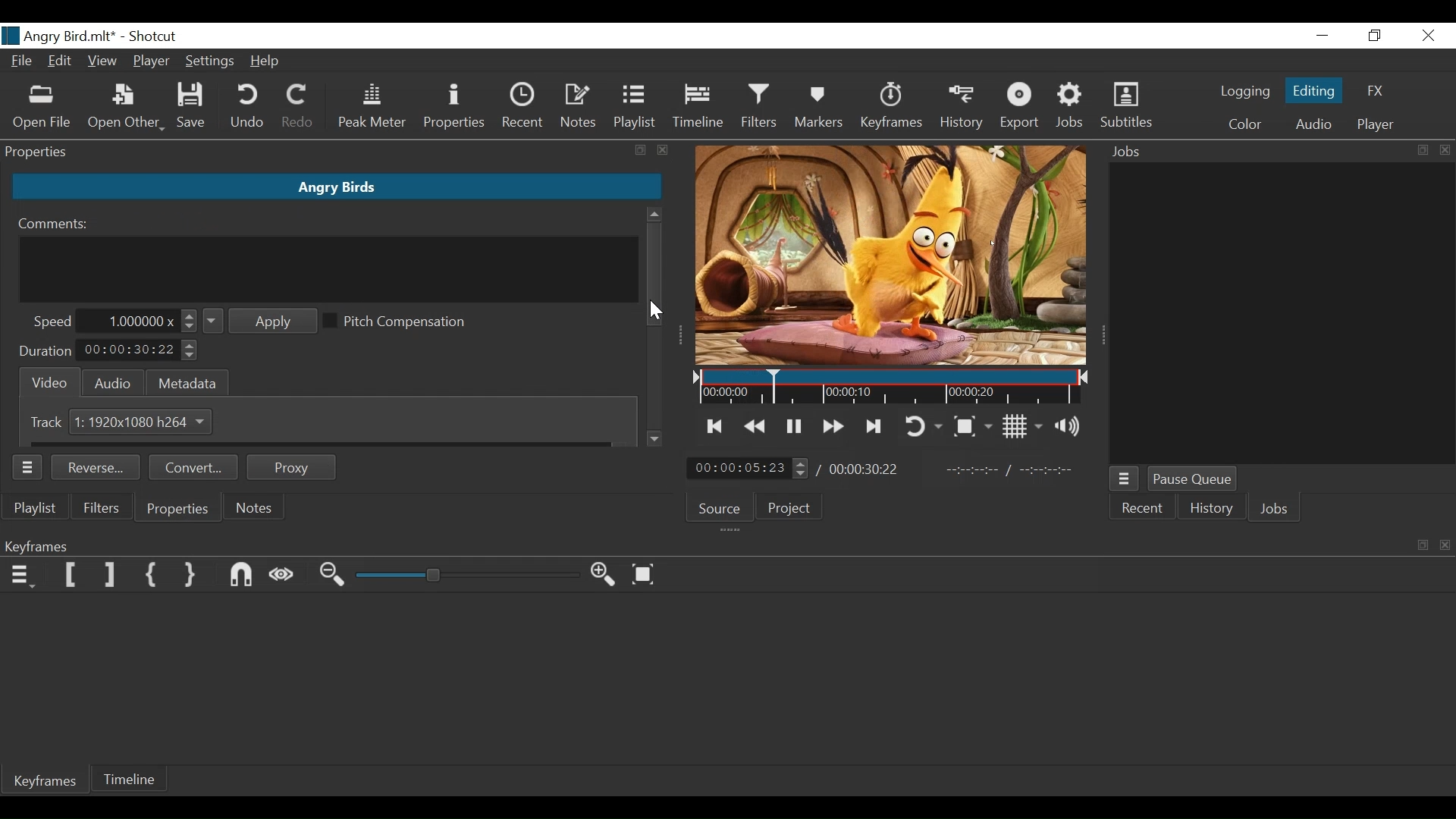 The height and width of the screenshot is (819, 1456). I want to click on Filters, so click(758, 108).